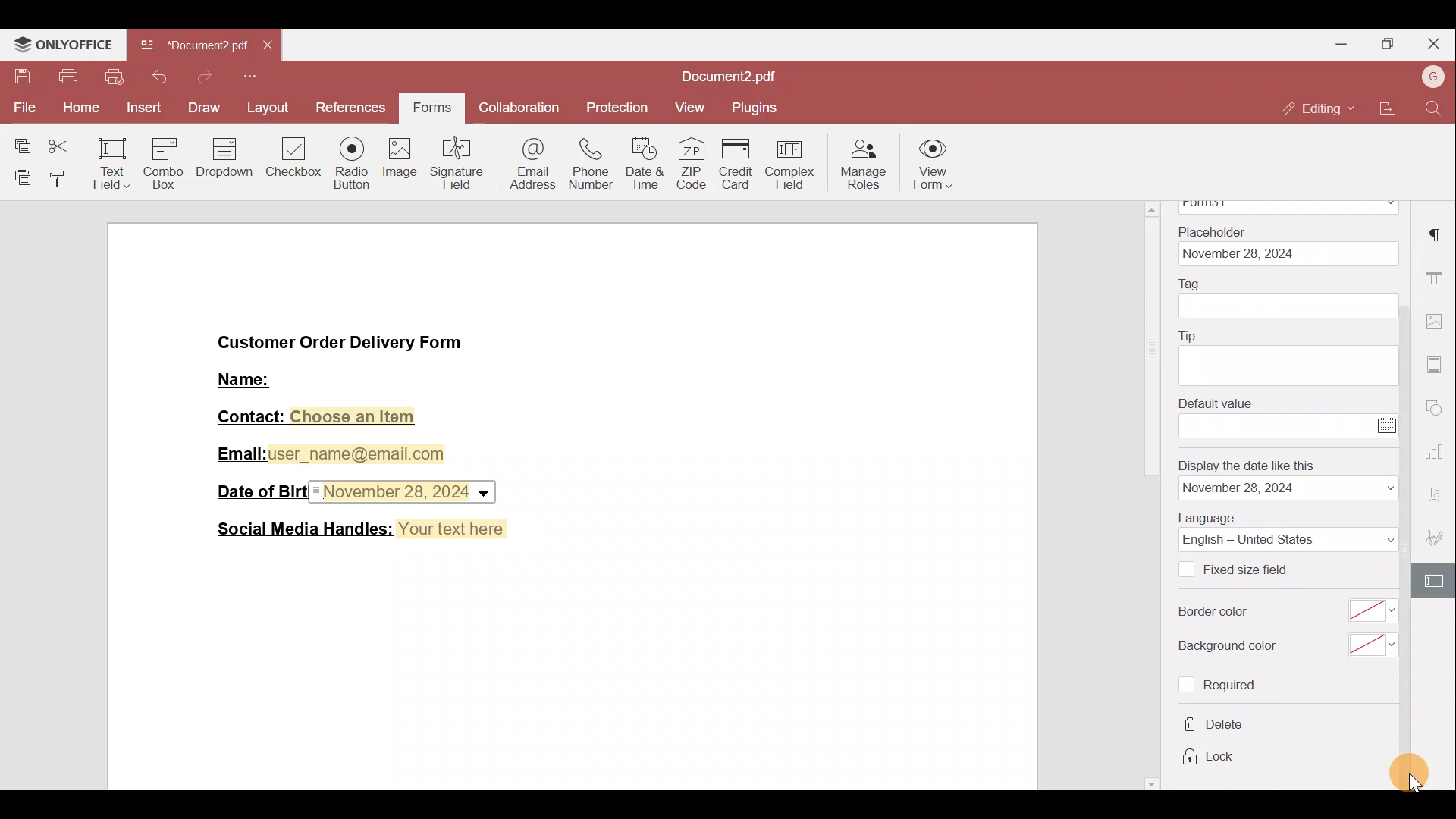 Image resolution: width=1456 pixels, height=819 pixels. Describe the element at coordinates (695, 105) in the screenshot. I see `View` at that location.